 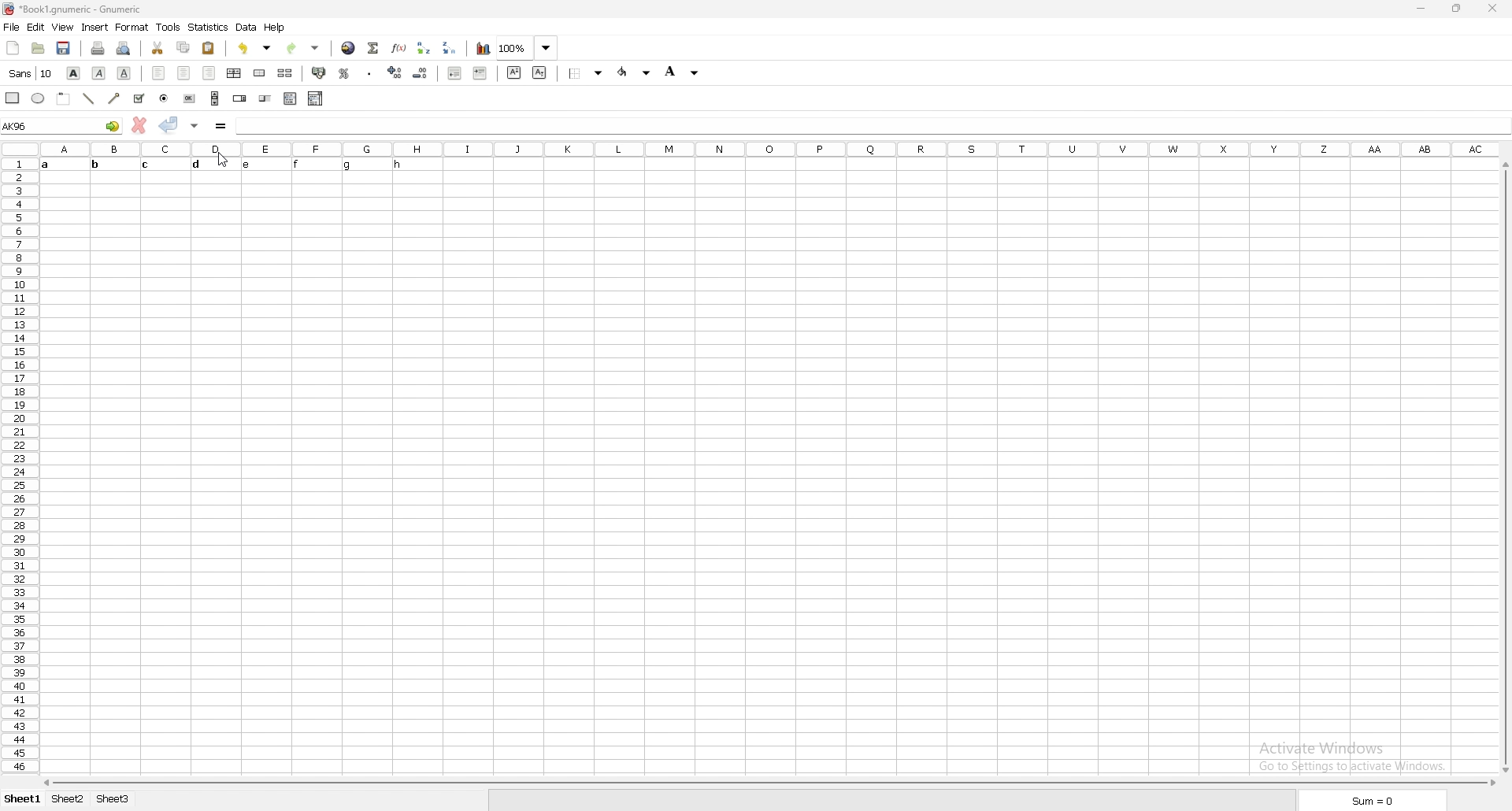 What do you see at coordinates (635, 72) in the screenshot?
I see `foreground` at bounding box center [635, 72].